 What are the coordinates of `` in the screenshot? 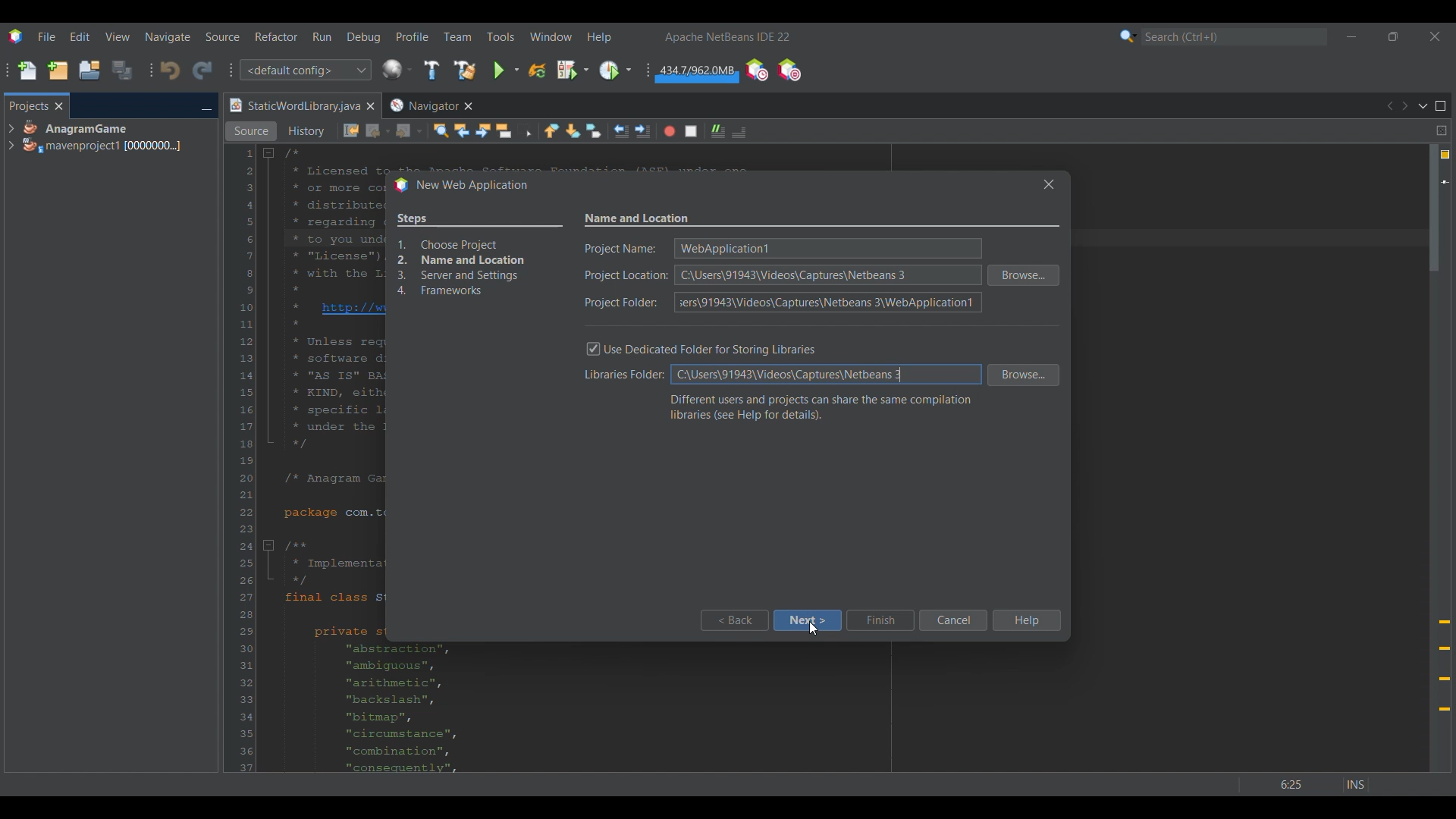 It's located at (1313, 780).